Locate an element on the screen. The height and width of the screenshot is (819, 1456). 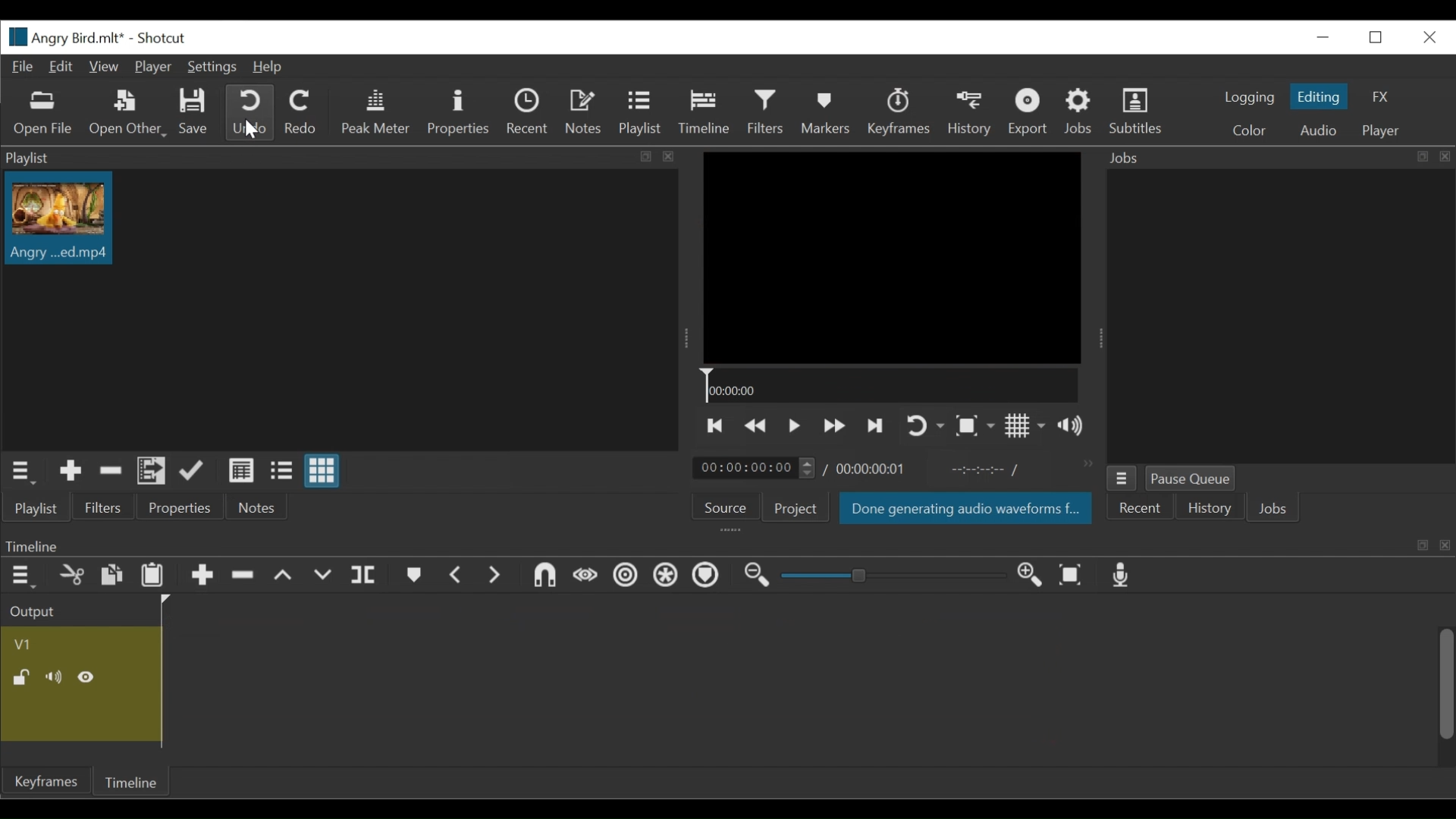
Edit is located at coordinates (62, 67).